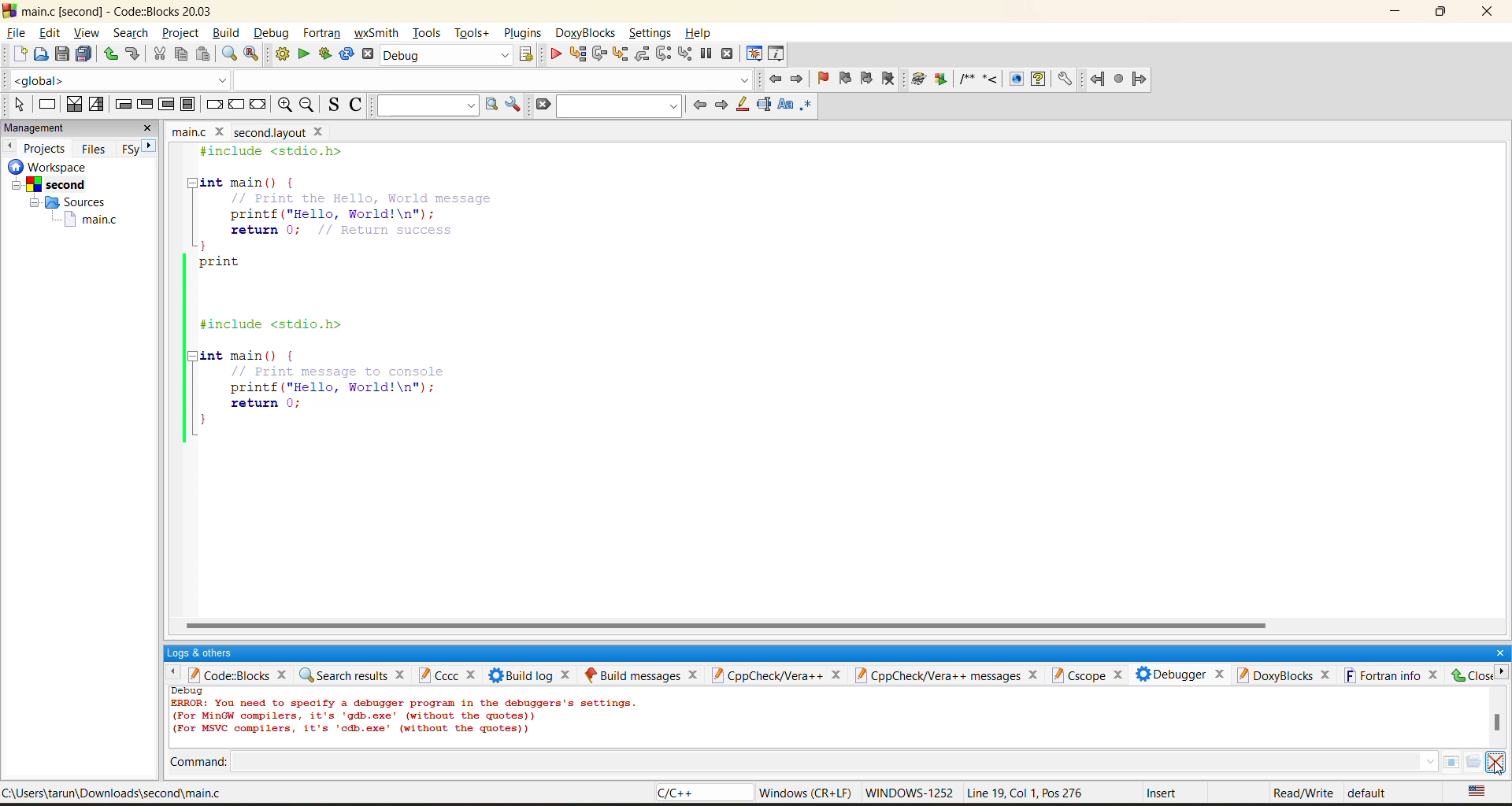 The height and width of the screenshot is (806, 1512). I want to click on toggle bookmark, so click(822, 78).